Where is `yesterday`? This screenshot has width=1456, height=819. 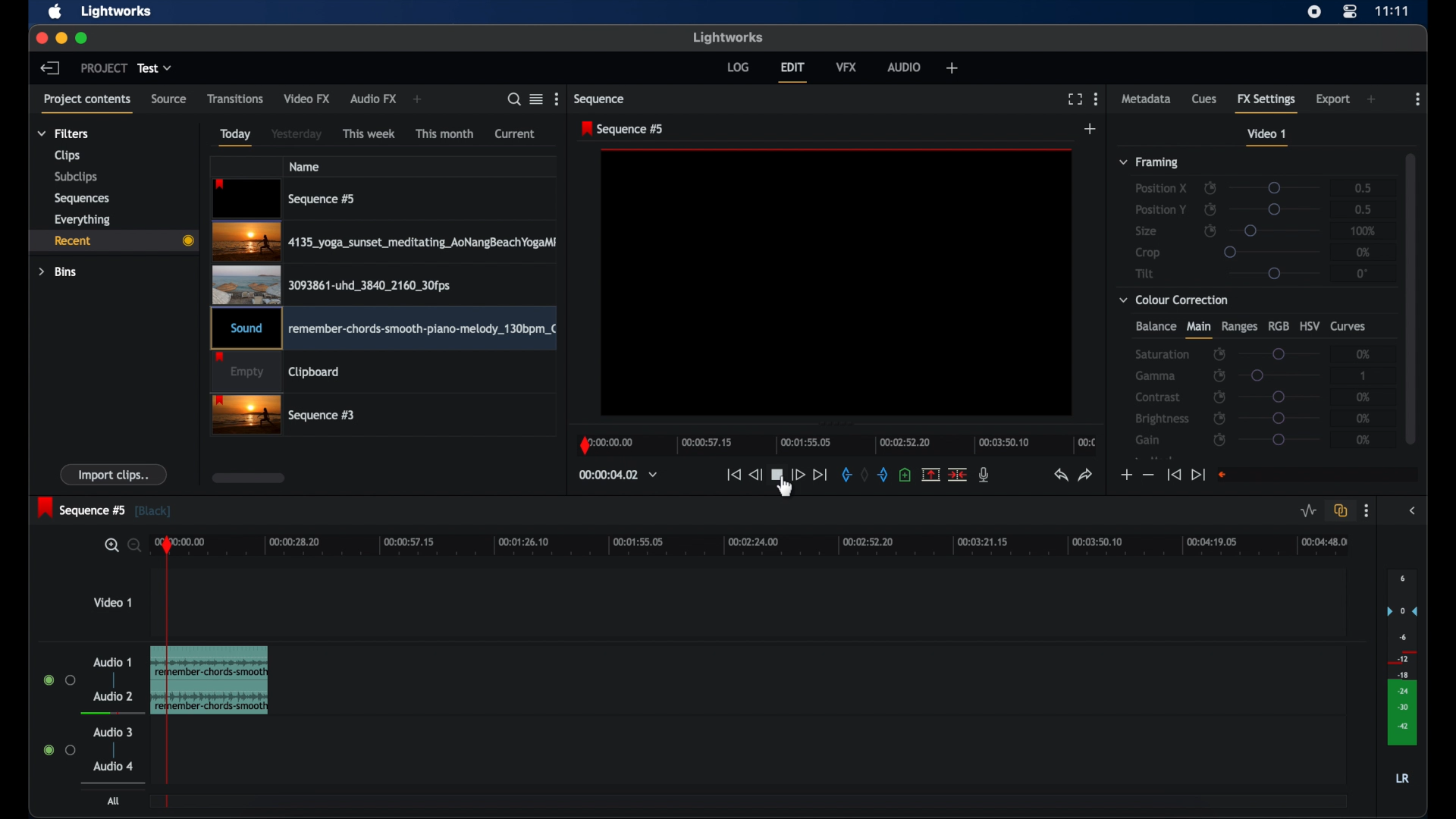 yesterday is located at coordinates (297, 133).